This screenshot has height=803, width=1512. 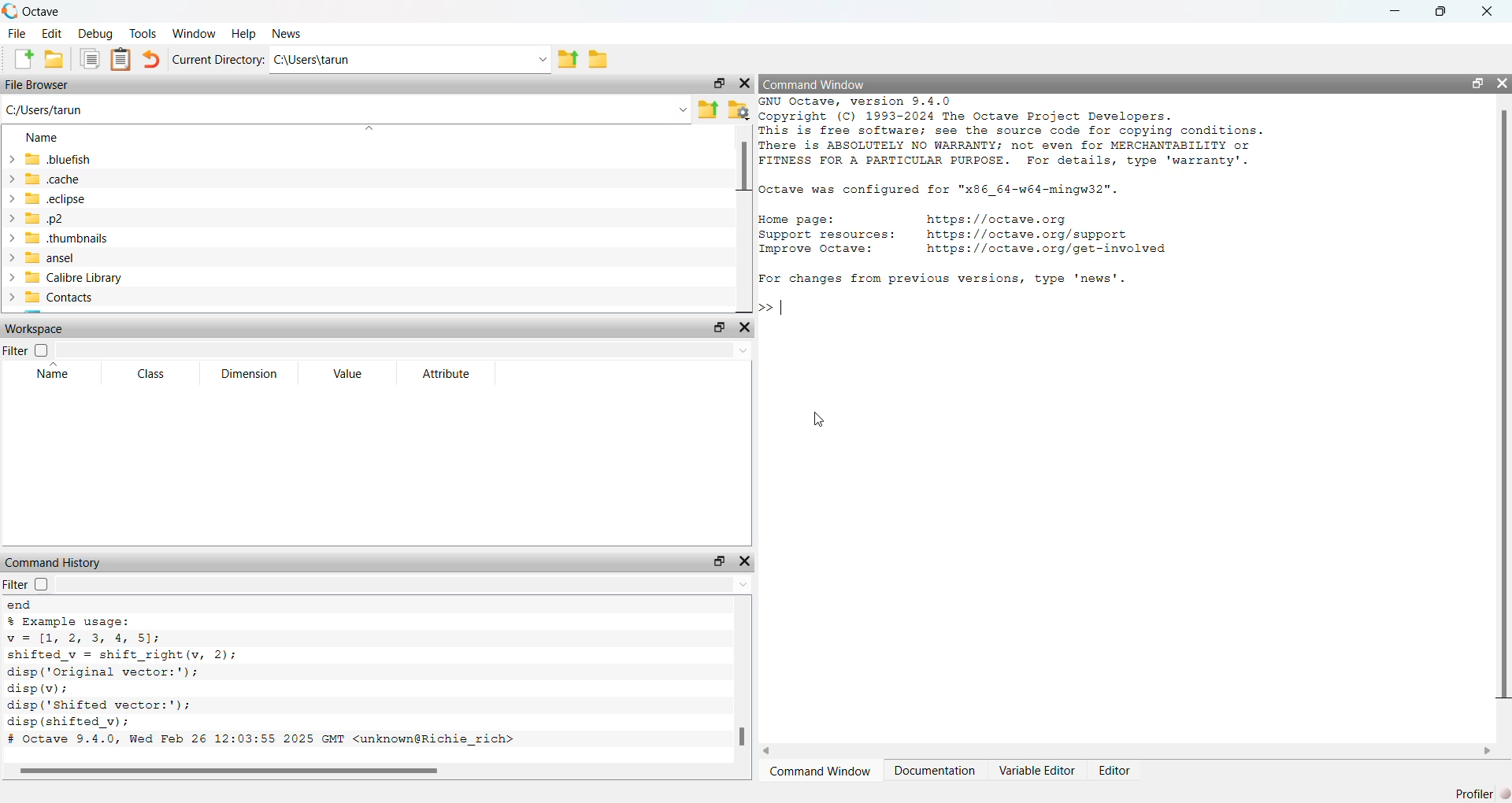 What do you see at coordinates (1446, 10) in the screenshot?
I see `maximize` at bounding box center [1446, 10].